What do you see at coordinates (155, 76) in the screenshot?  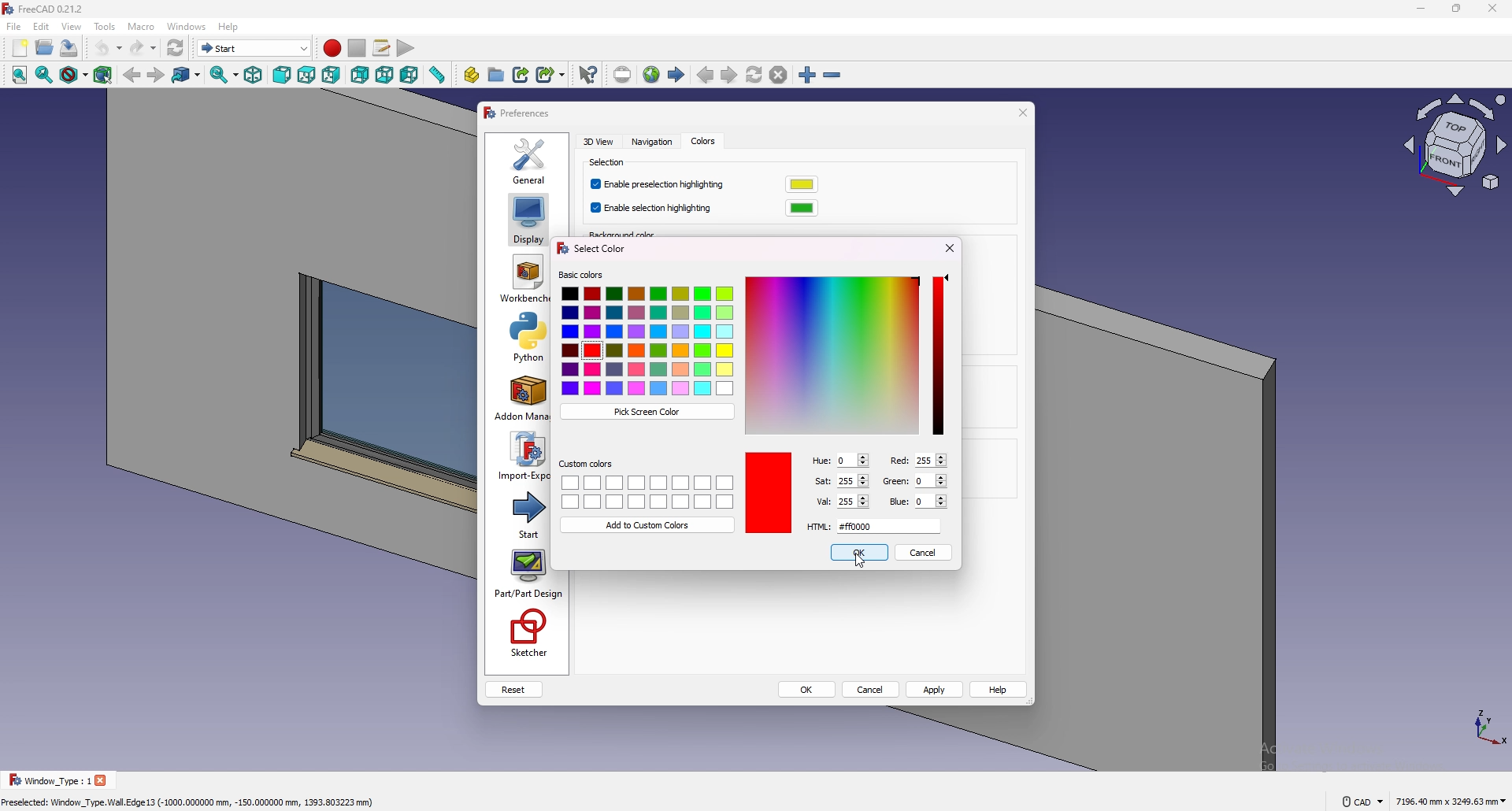 I see `forward` at bounding box center [155, 76].